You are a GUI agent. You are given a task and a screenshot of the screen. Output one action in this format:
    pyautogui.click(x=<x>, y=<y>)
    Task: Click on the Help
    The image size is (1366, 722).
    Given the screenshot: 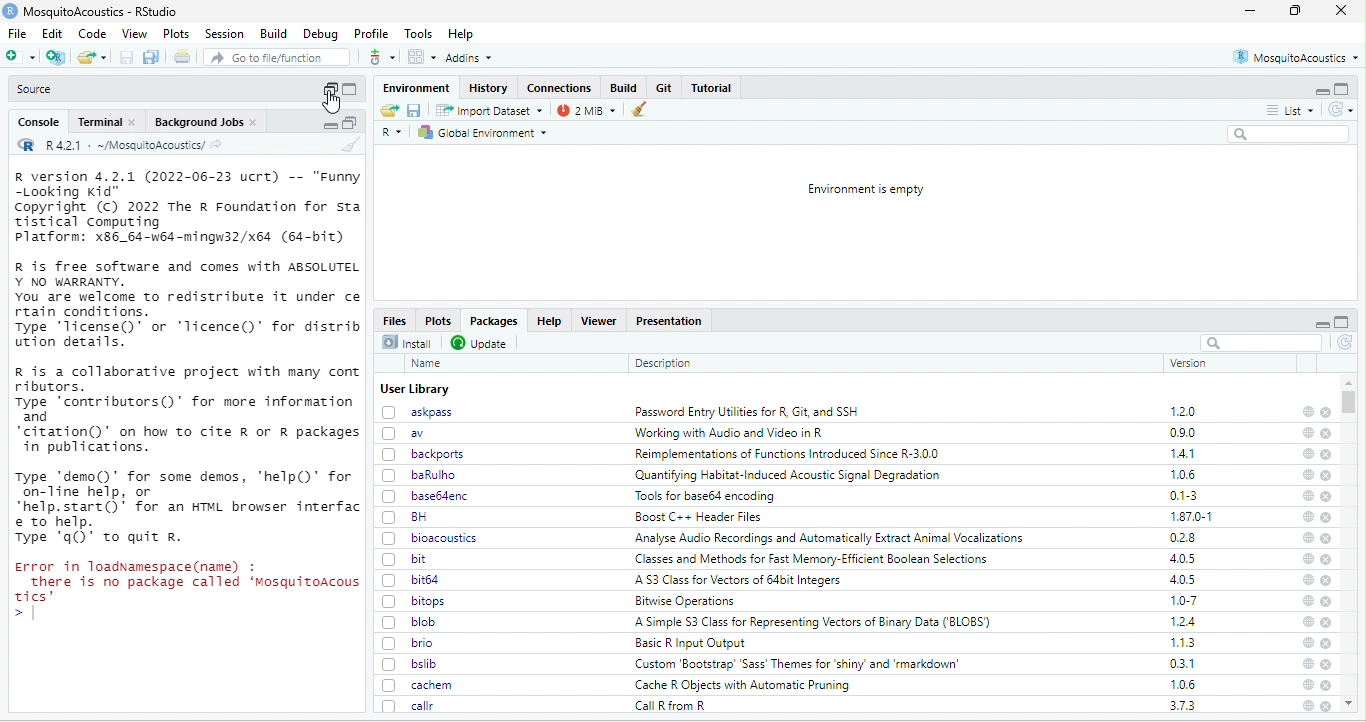 What is the action you would take?
    pyautogui.click(x=463, y=34)
    